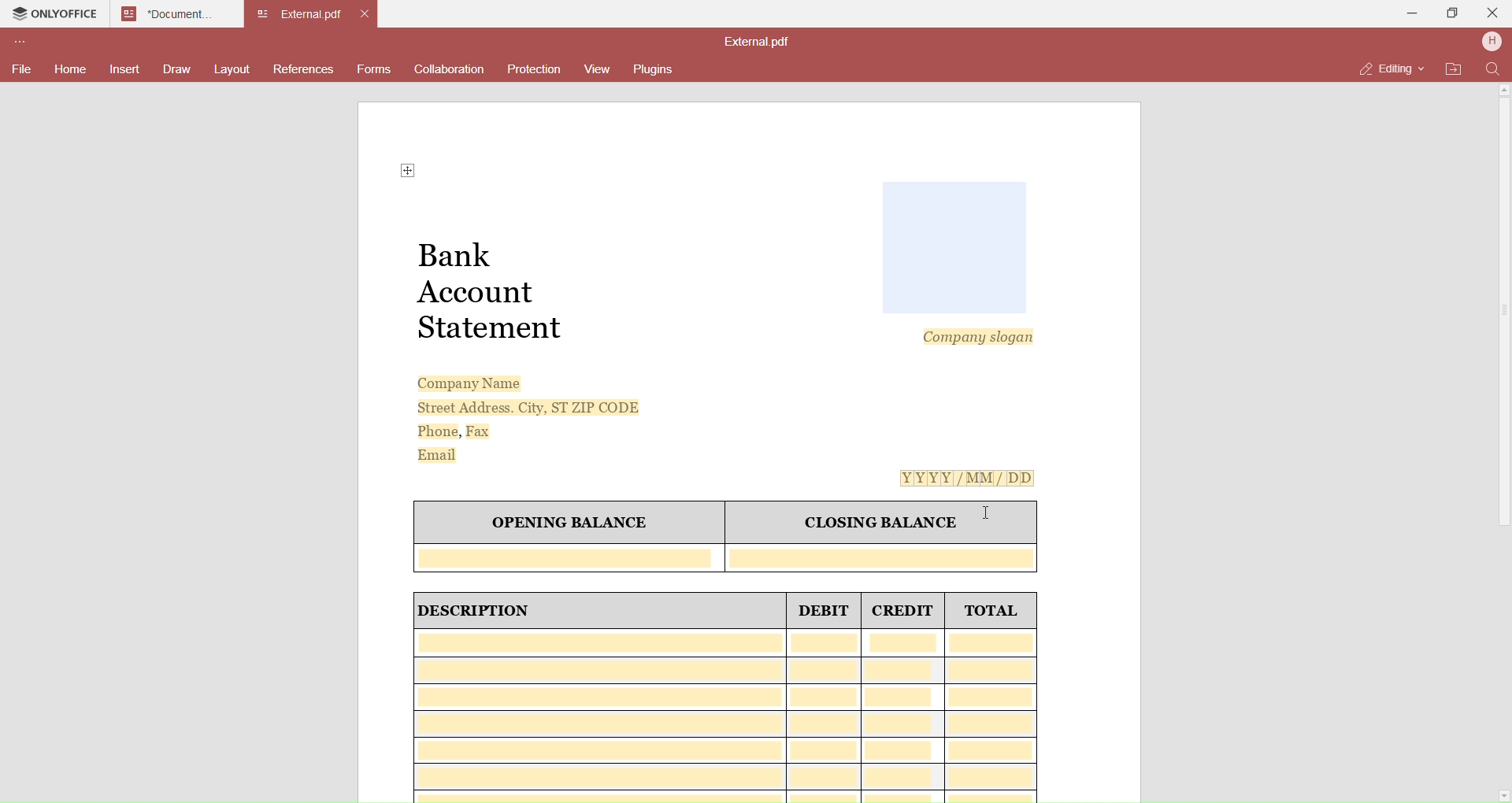  I want to click on Home, so click(69, 69).